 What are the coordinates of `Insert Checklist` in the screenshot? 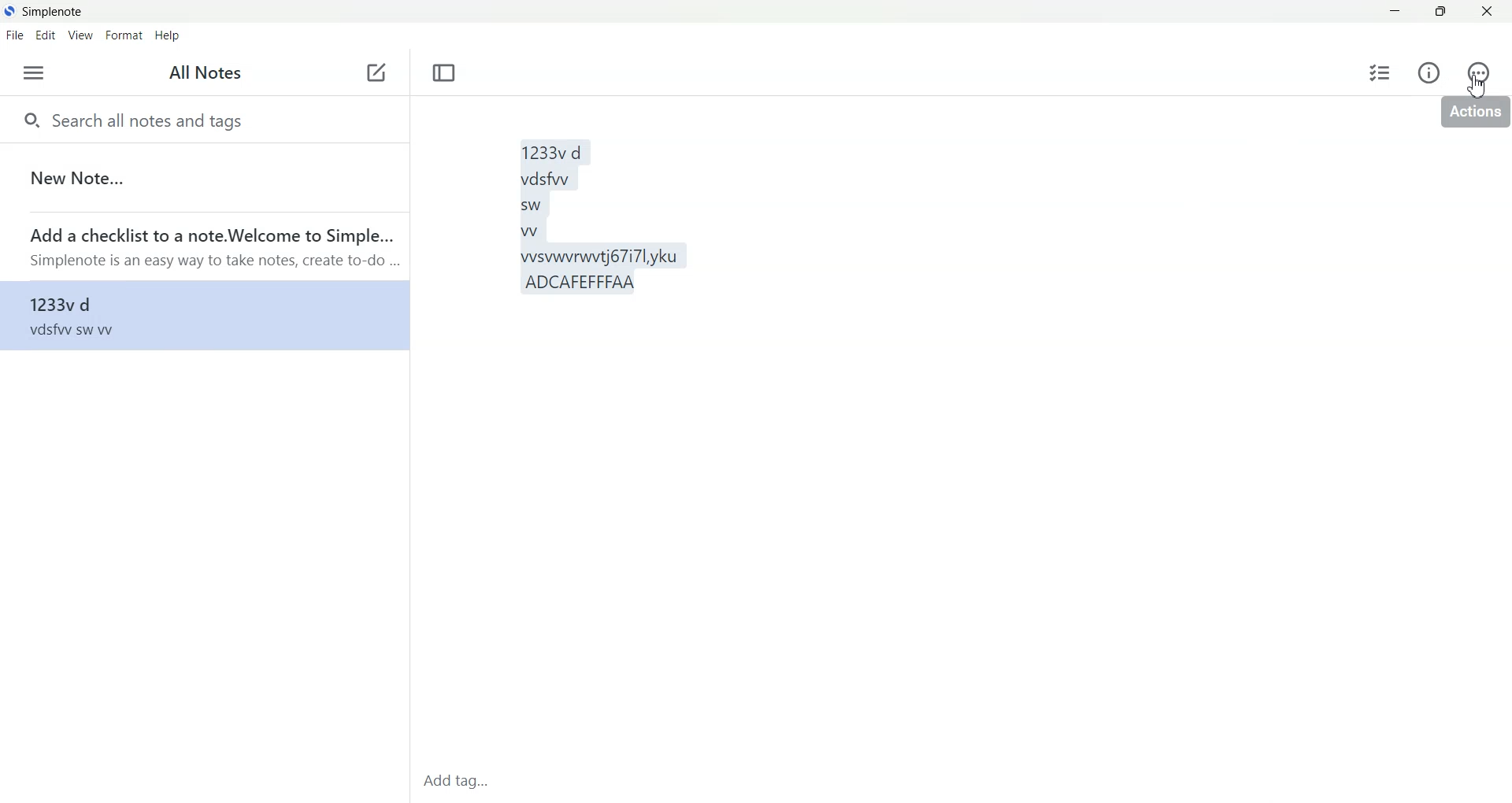 It's located at (1380, 72).